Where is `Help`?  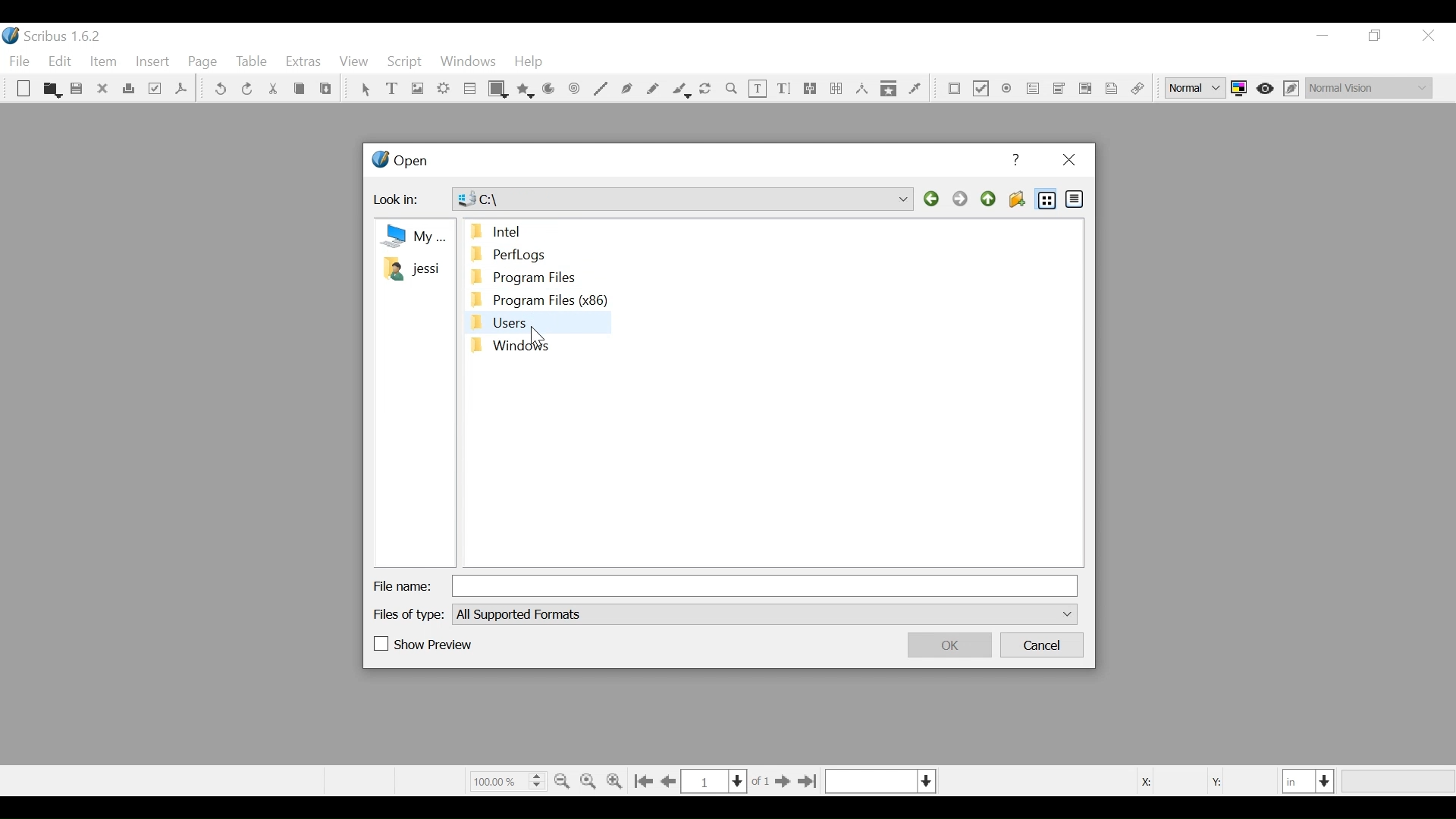
Help is located at coordinates (529, 63).